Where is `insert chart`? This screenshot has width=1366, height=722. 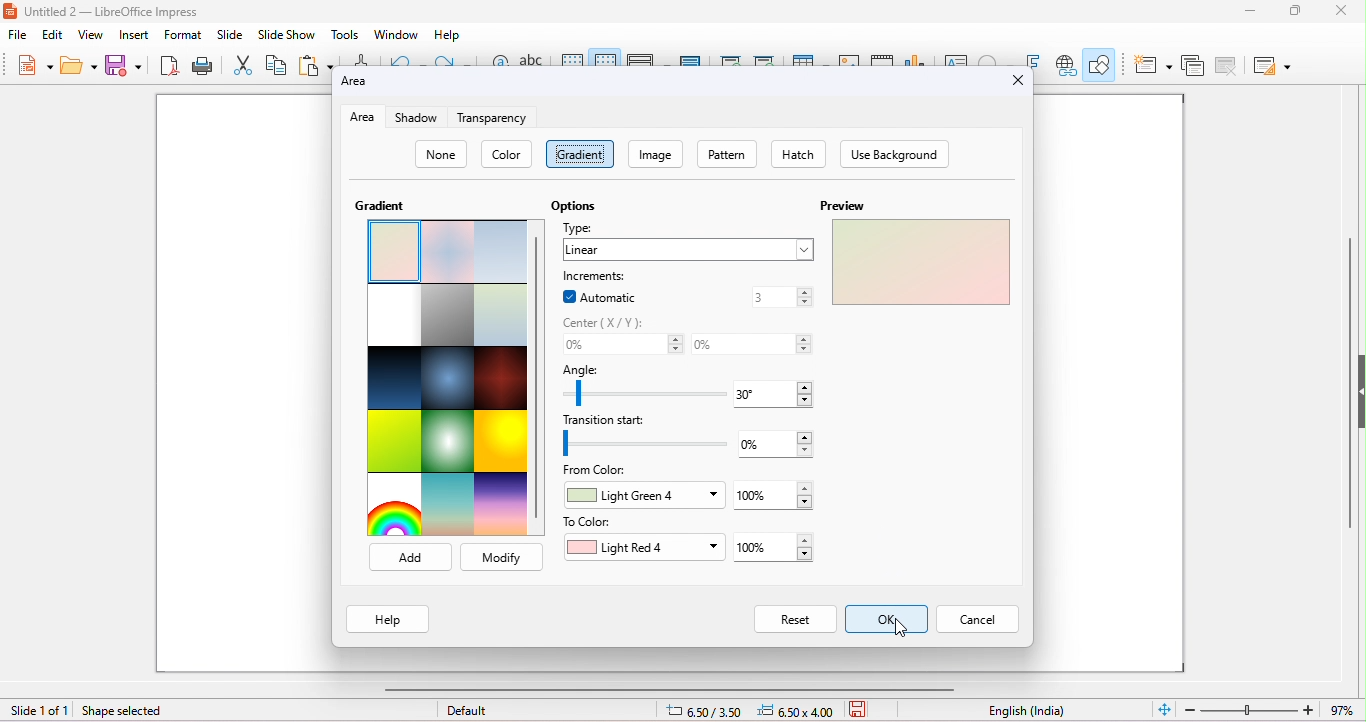 insert chart is located at coordinates (914, 58).